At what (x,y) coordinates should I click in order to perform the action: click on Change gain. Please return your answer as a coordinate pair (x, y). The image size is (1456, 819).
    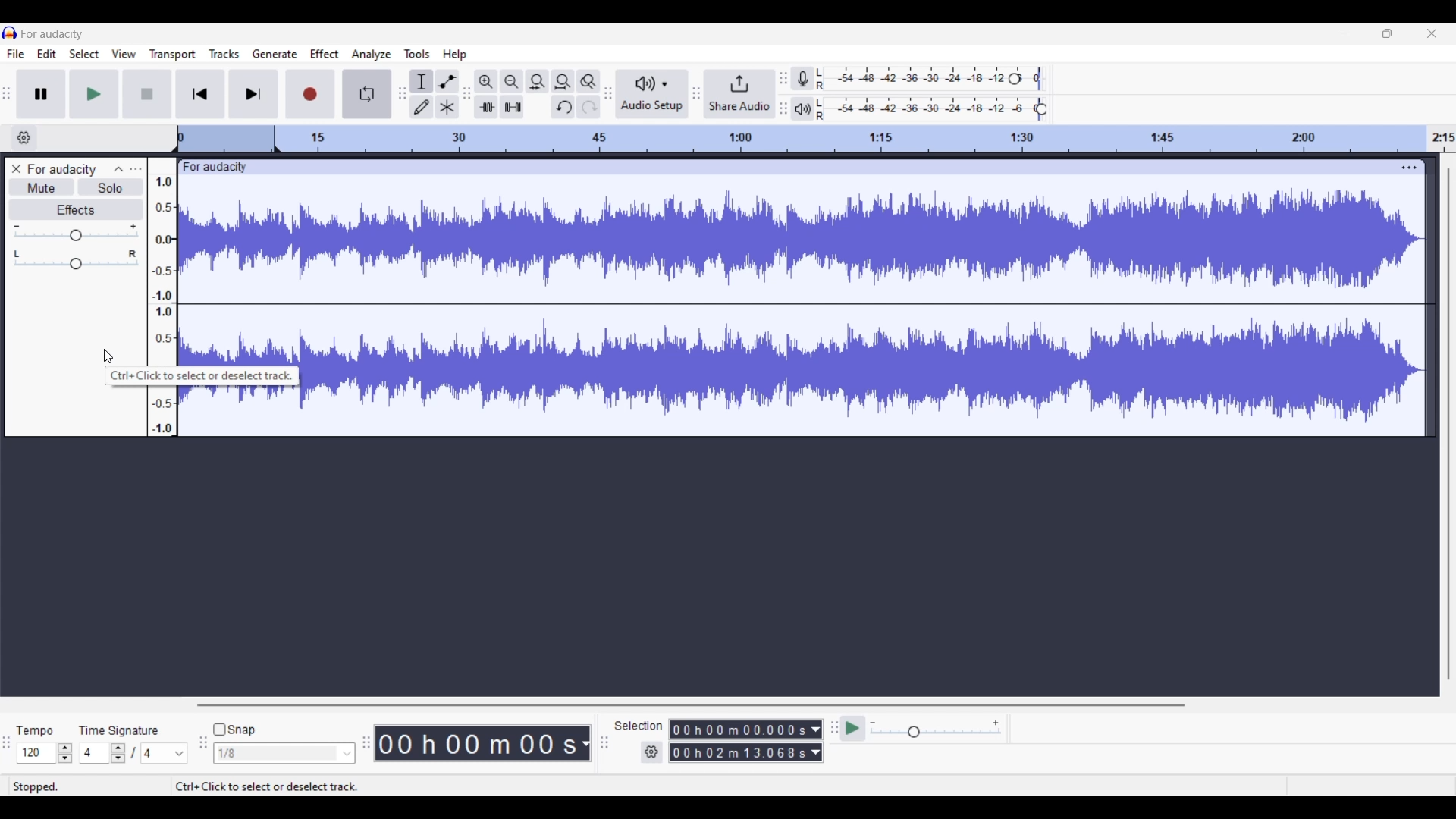
    Looking at the image, I should click on (76, 236).